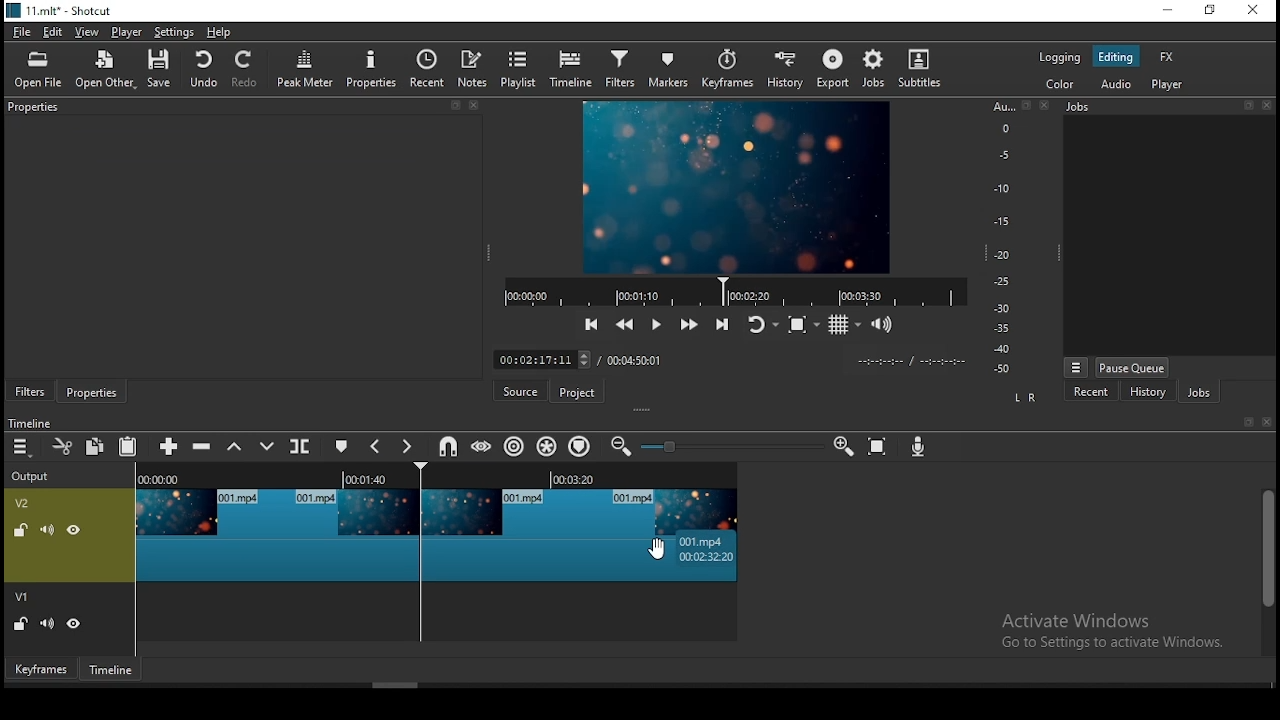 The image size is (1280, 720). Describe the element at coordinates (660, 548) in the screenshot. I see `cursor` at that location.